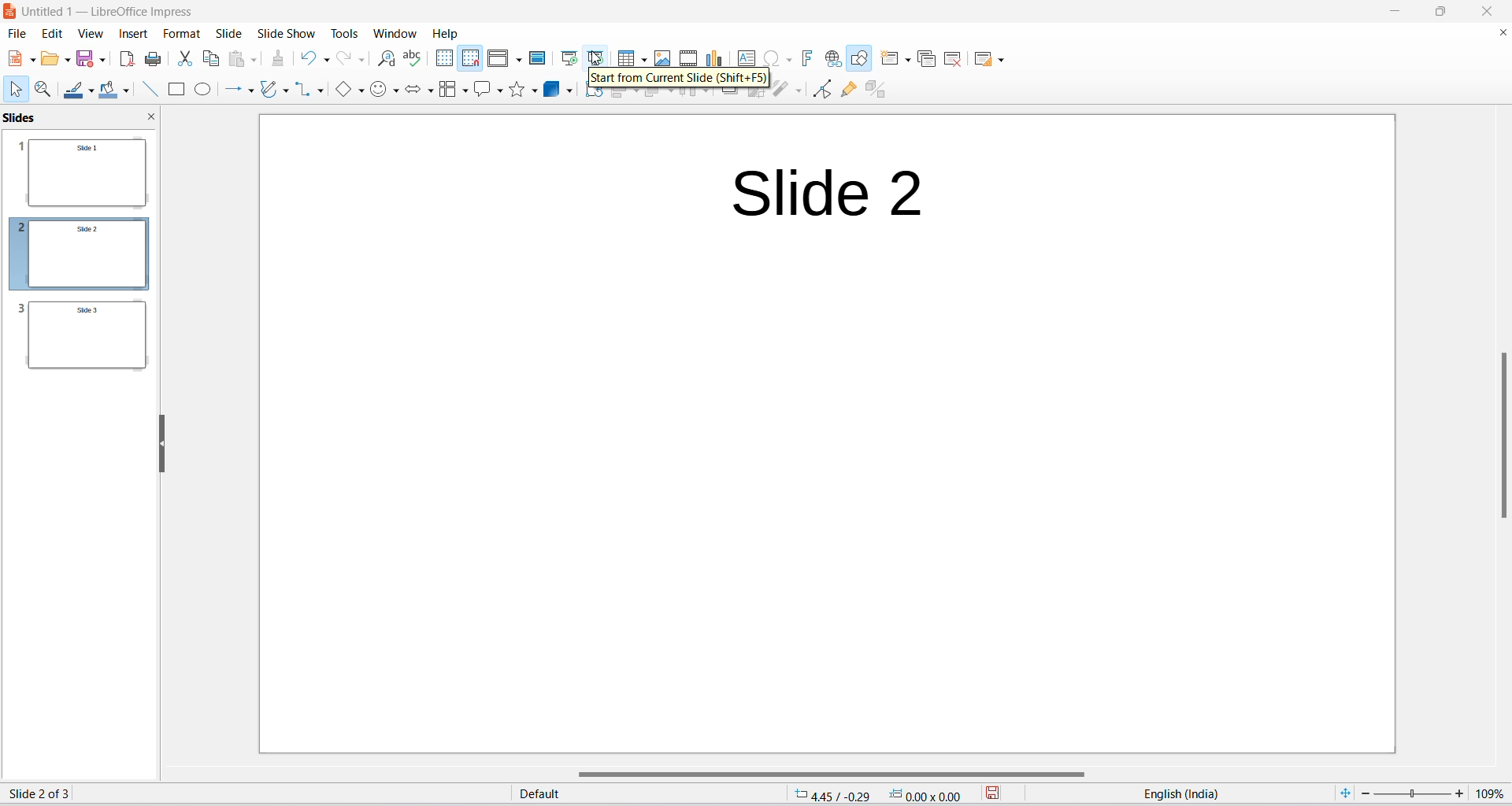 The image size is (1512, 806). I want to click on window, so click(396, 33).